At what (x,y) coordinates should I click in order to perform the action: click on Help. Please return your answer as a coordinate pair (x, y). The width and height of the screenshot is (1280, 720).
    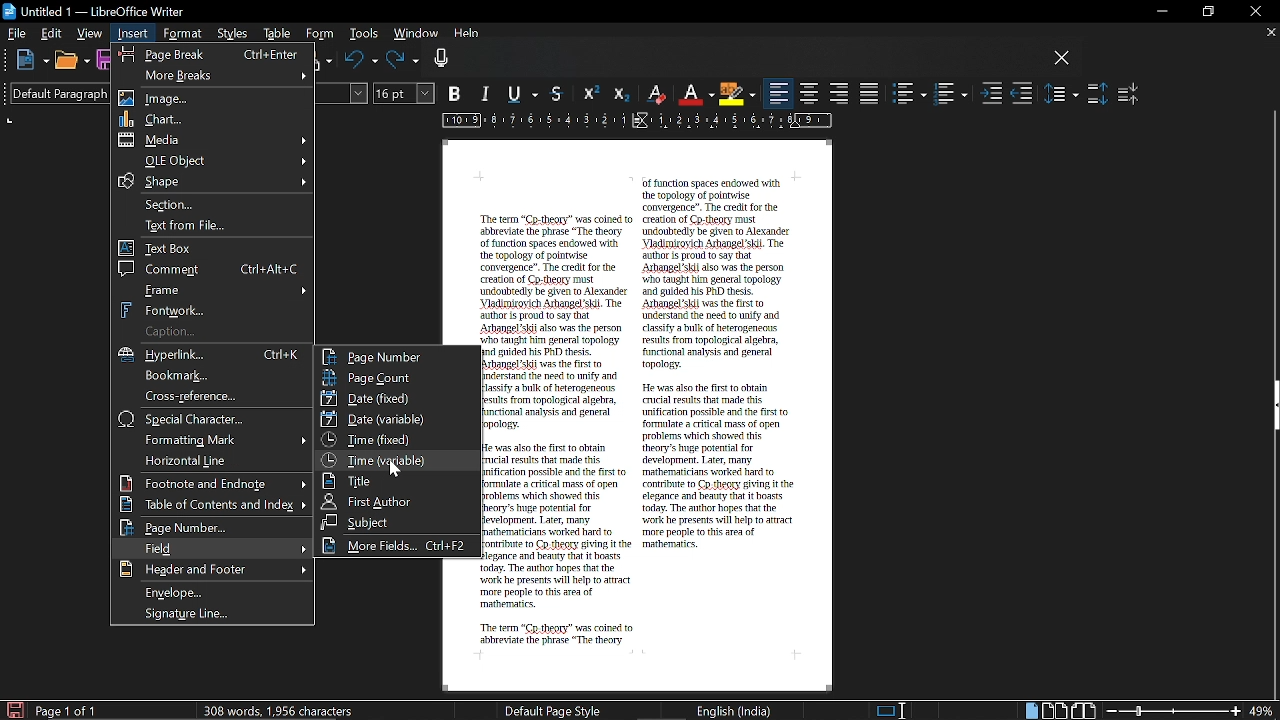
    Looking at the image, I should click on (468, 36).